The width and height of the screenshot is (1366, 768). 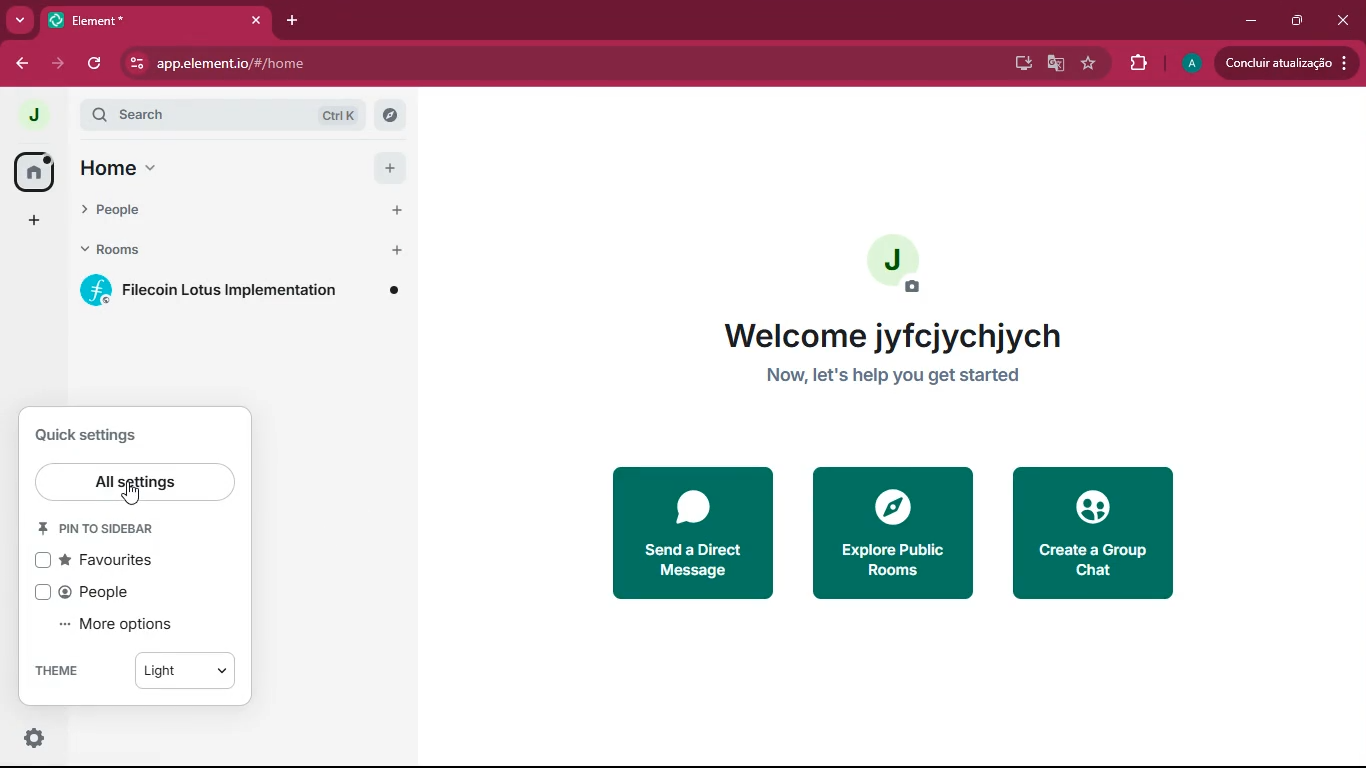 What do you see at coordinates (1345, 21) in the screenshot?
I see `close` at bounding box center [1345, 21].